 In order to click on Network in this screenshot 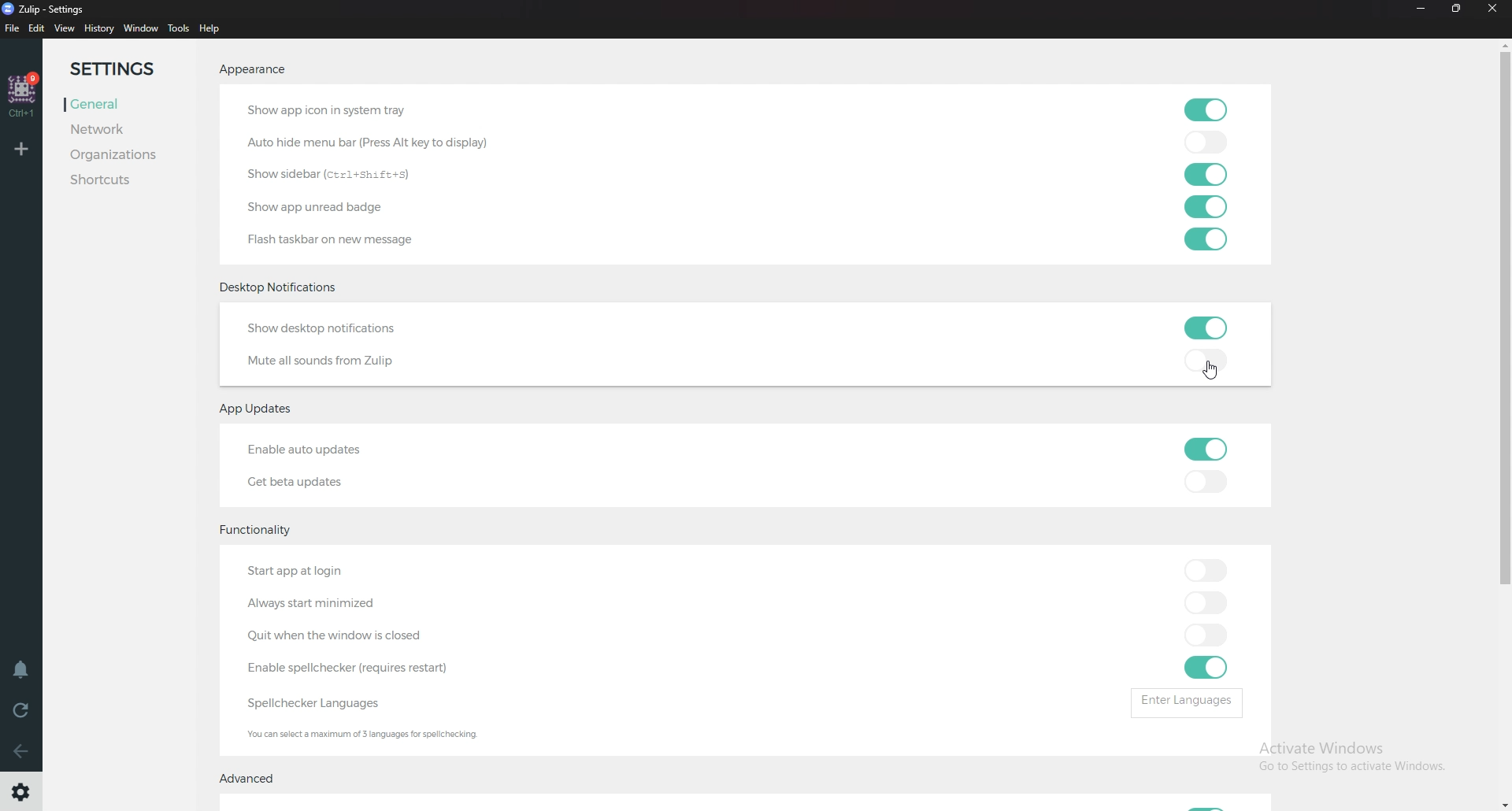, I will do `click(115, 131)`.